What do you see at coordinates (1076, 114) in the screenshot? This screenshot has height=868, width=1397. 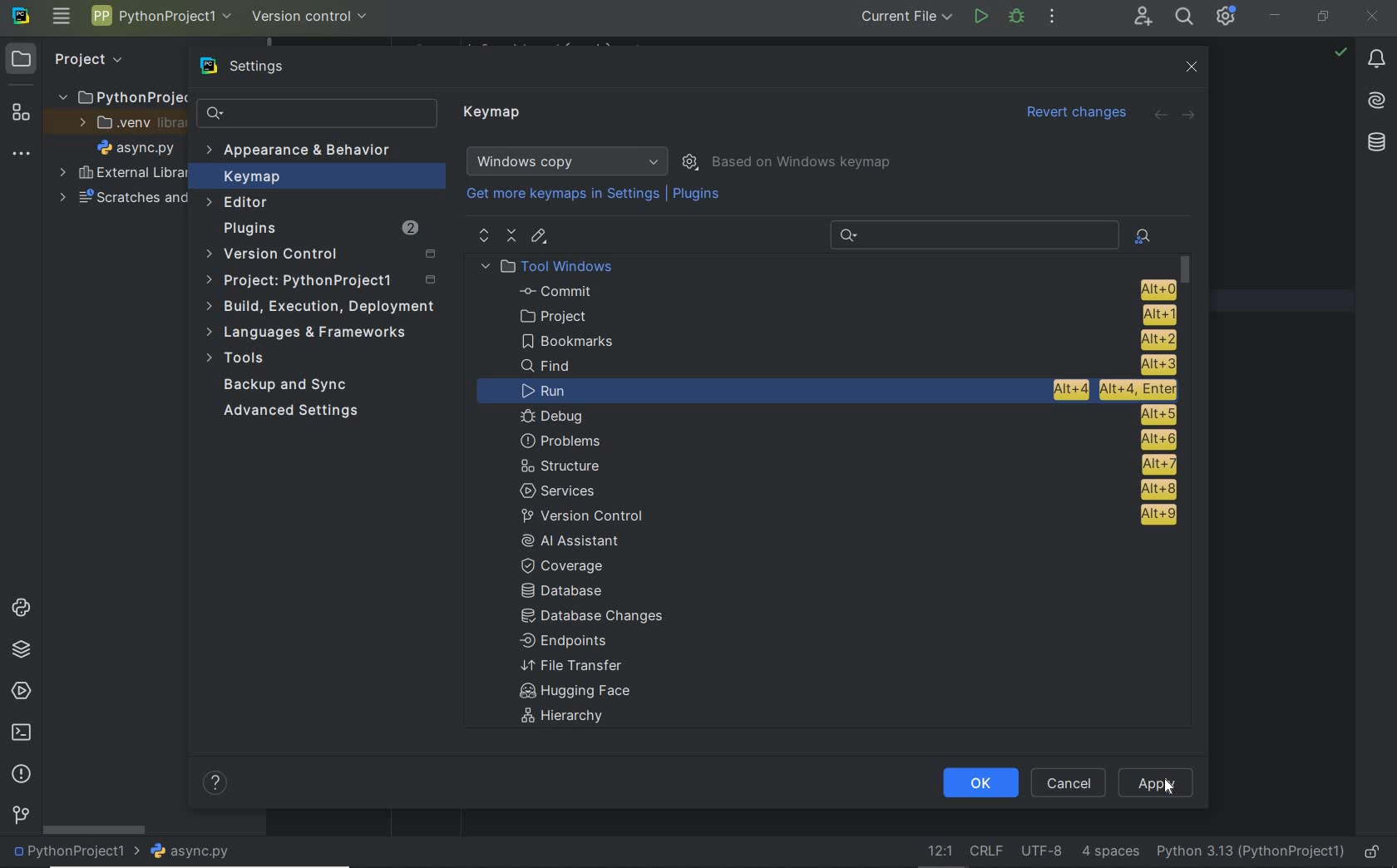 I see `Revert changes` at bounding box center [1076, 114].